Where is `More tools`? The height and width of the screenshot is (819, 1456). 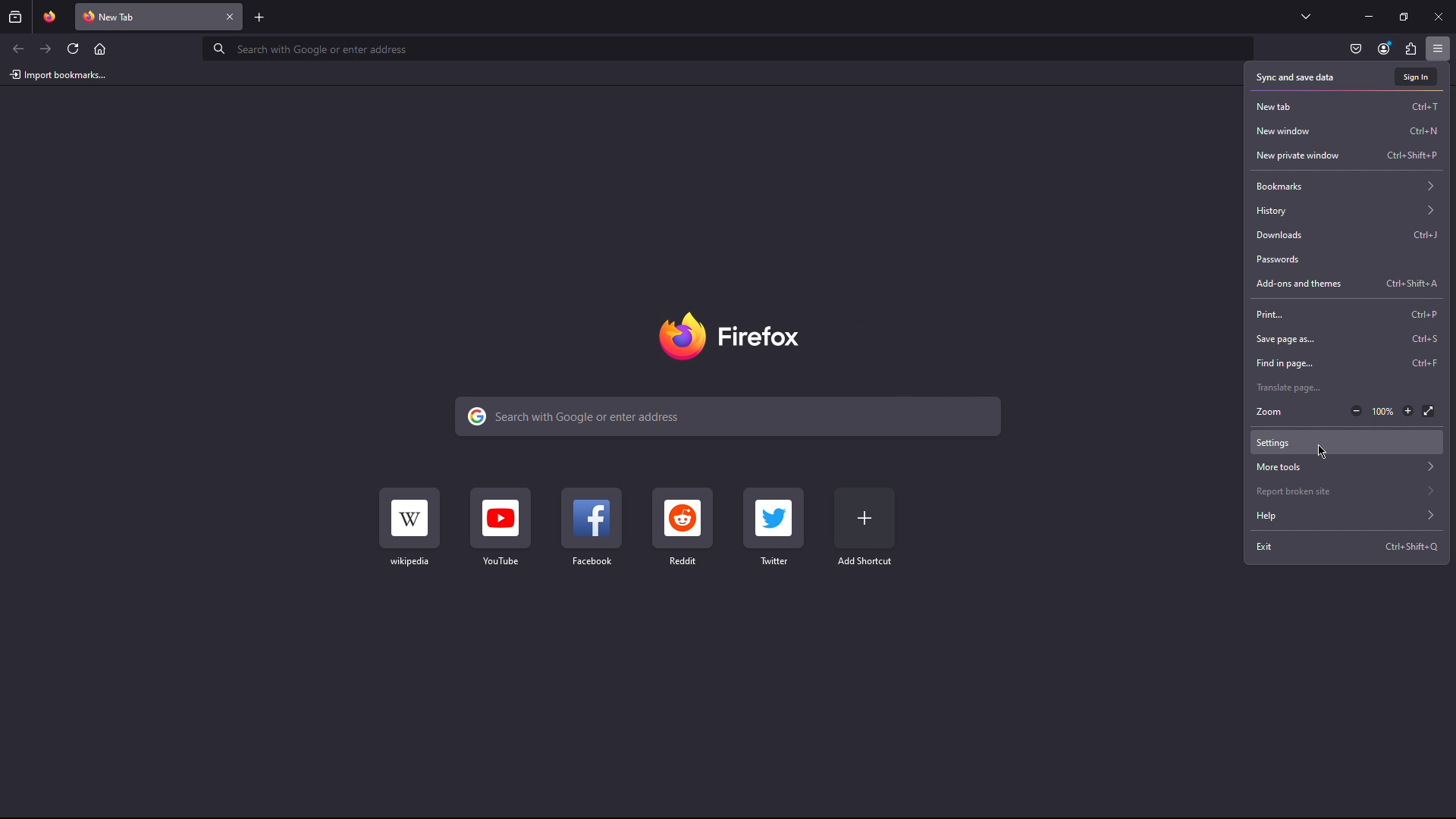 More tools is located at coordinates (1347, 466).